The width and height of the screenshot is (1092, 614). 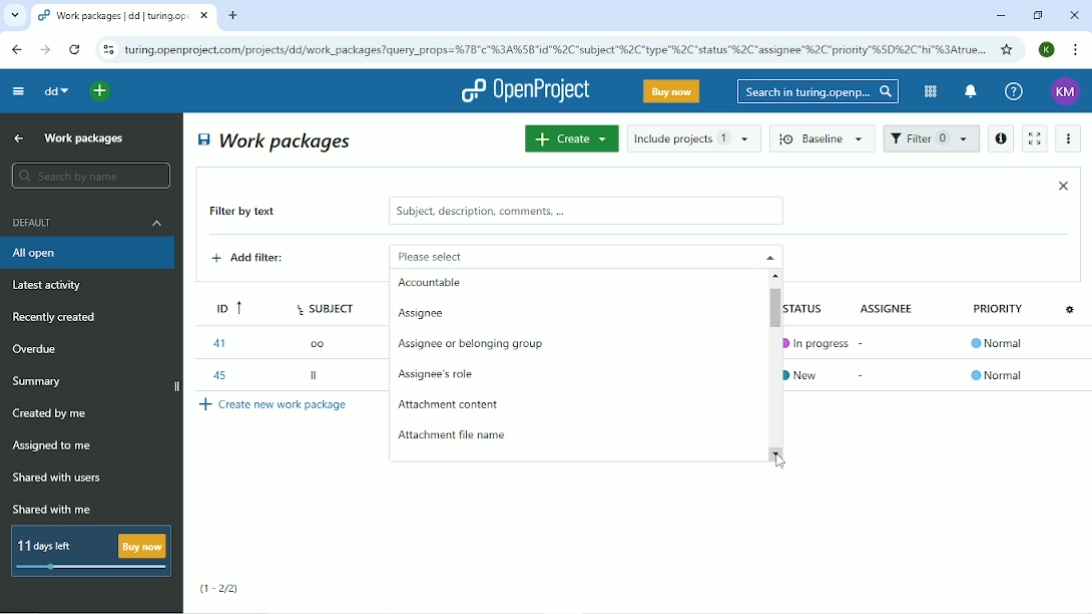 I want to click on View site information, so click(x=108, y=50).